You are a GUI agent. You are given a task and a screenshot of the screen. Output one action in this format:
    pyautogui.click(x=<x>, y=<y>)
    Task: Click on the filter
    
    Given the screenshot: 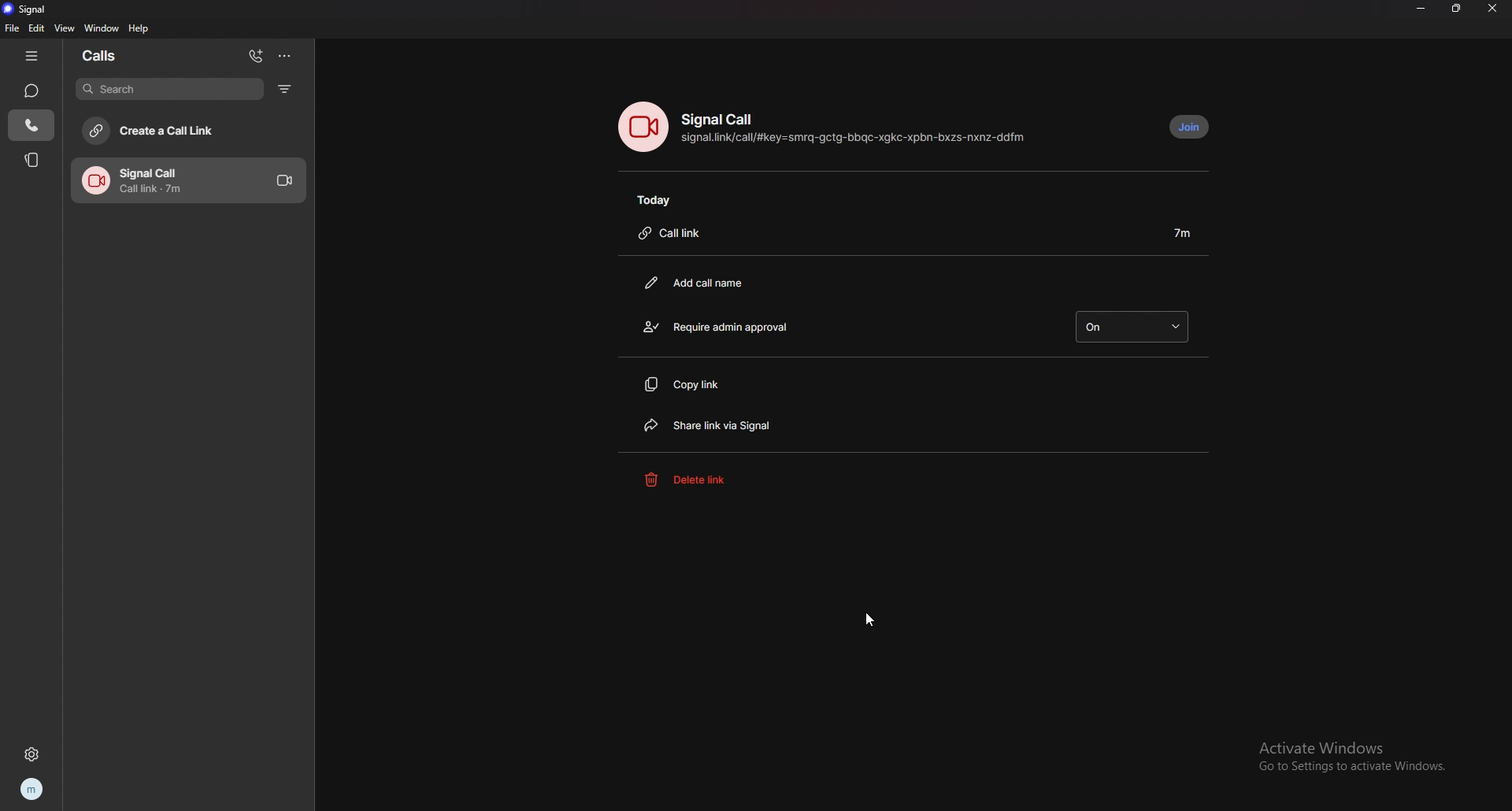 What is the action you would take?
    pyautogui.click(x=284, y=89)
    